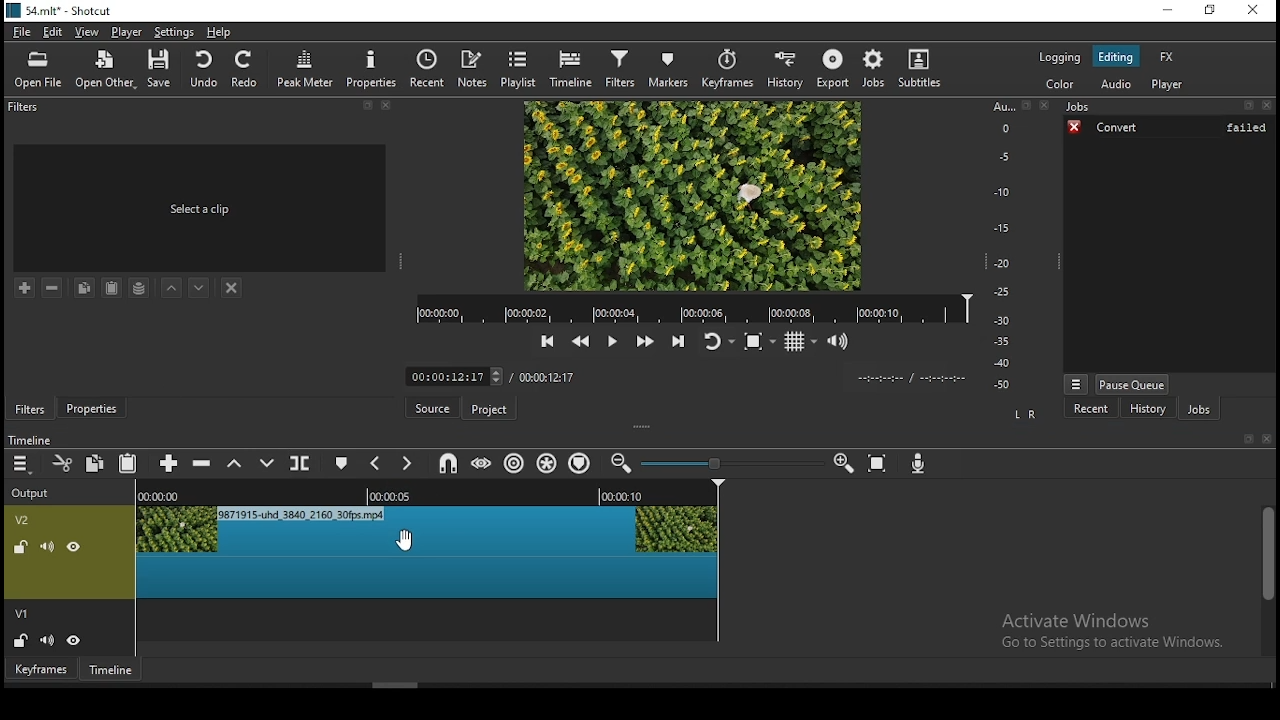 Image resolution: width=1280 pixels, height=720 pixels. Describe the element at coordinates (23, 548) in the screenshot. I see `(un)locked` at that location.